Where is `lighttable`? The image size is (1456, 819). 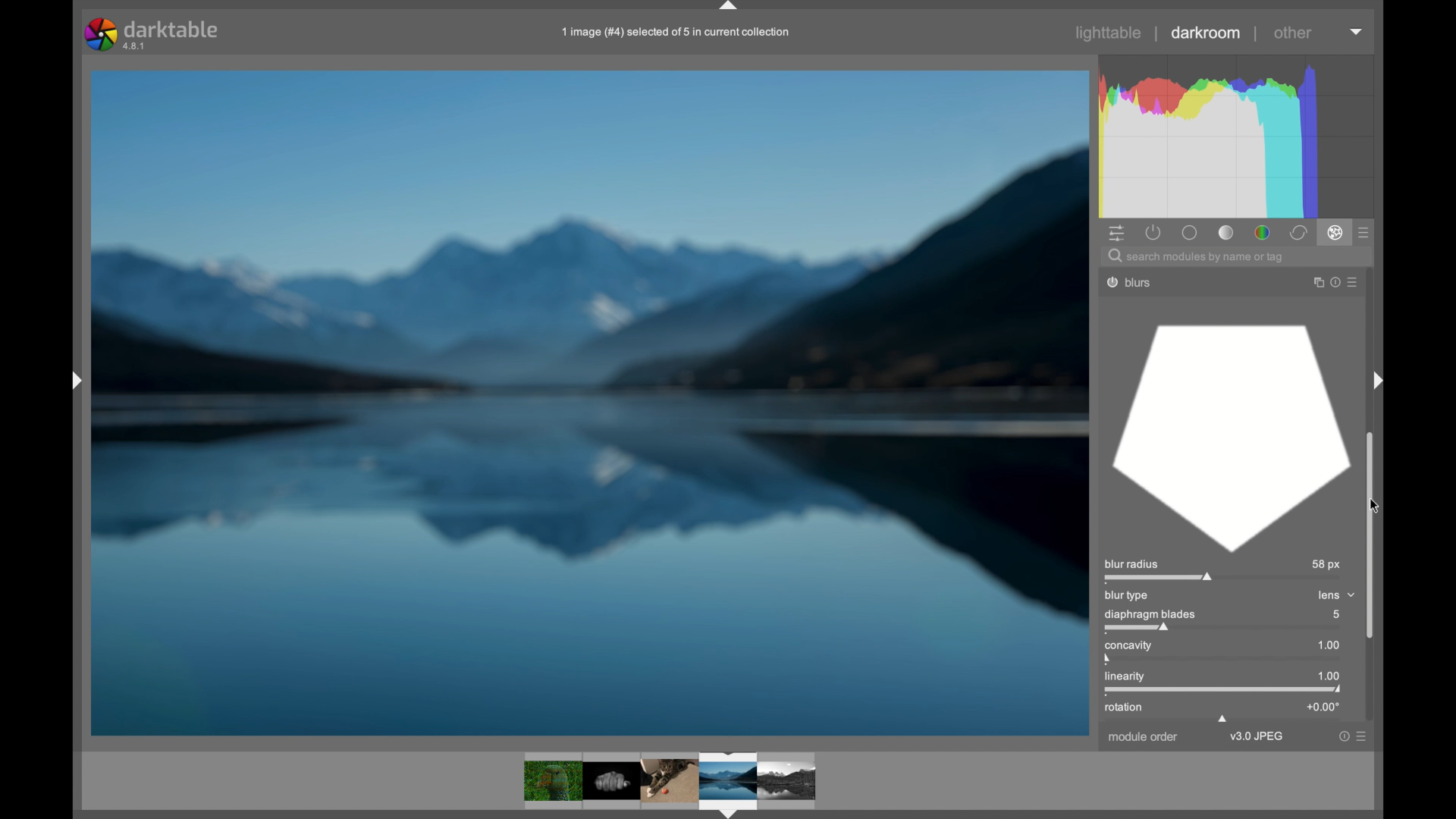 lighttable is located at coordinates (1110, 33).